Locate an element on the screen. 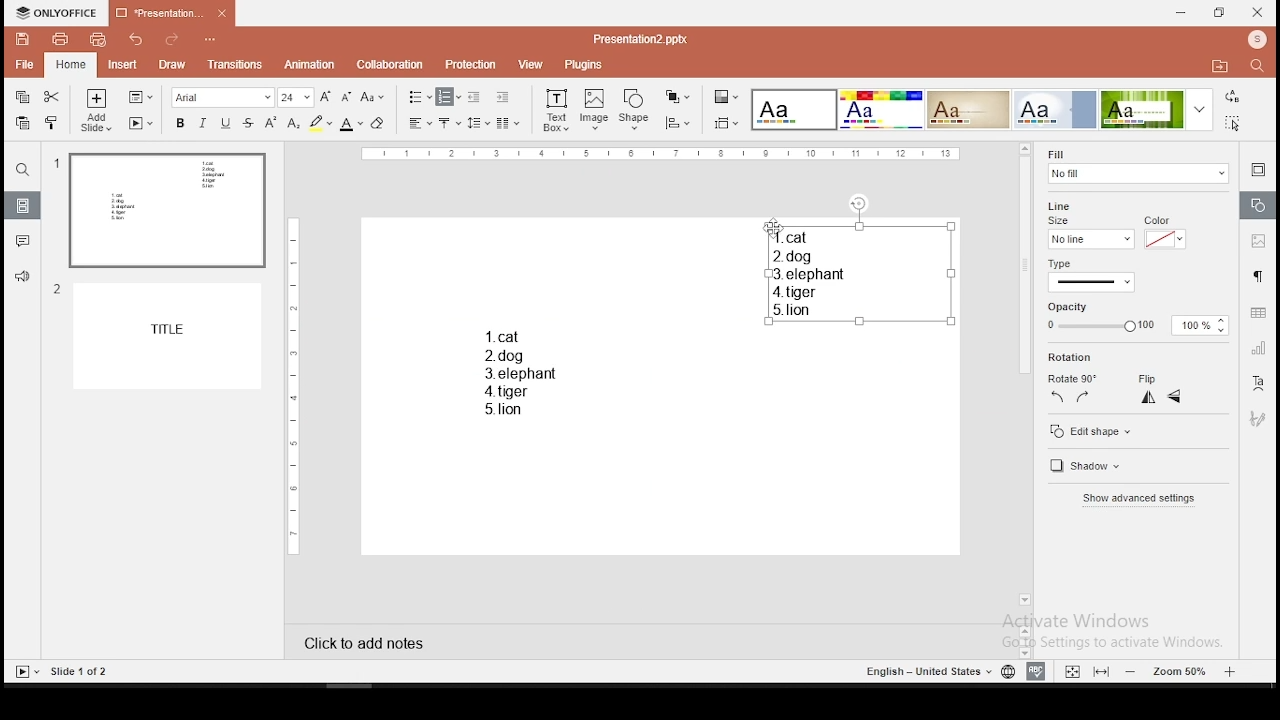 This screenshot has width=1280, height=720. quick print is located at coordinates (97, 39).